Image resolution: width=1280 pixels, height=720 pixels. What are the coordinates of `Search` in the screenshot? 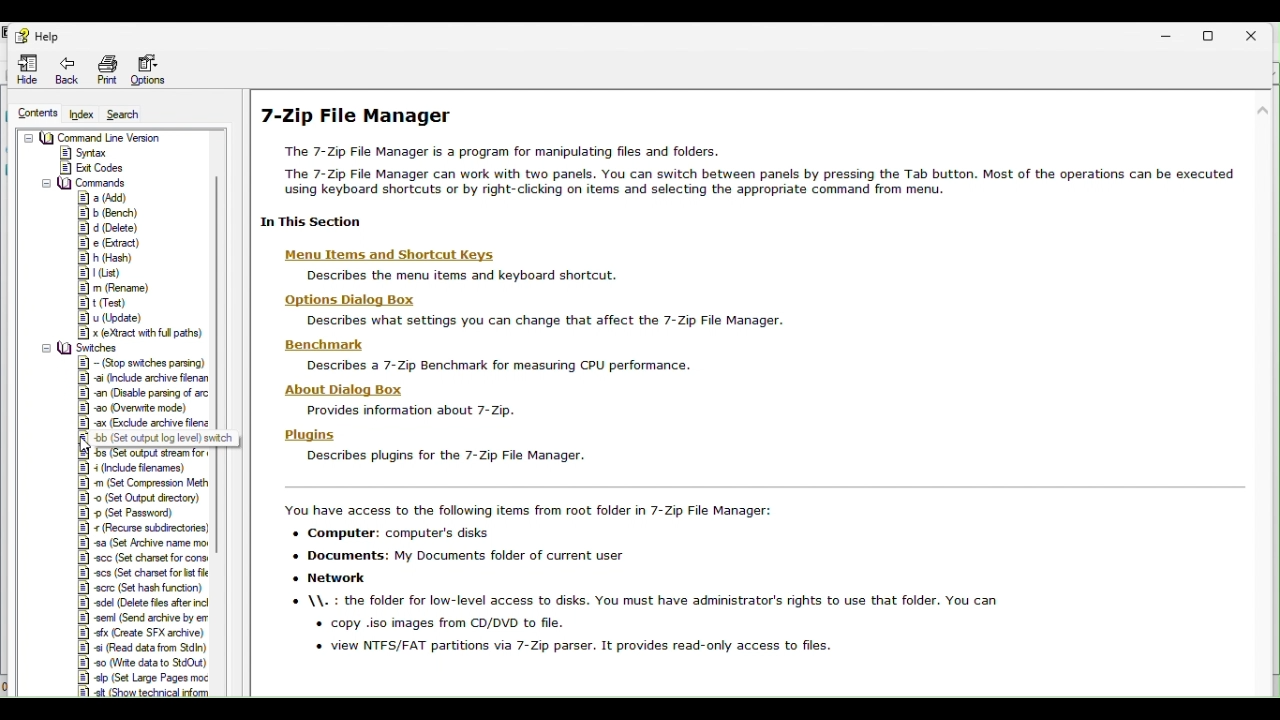 It's located at (136, 115).